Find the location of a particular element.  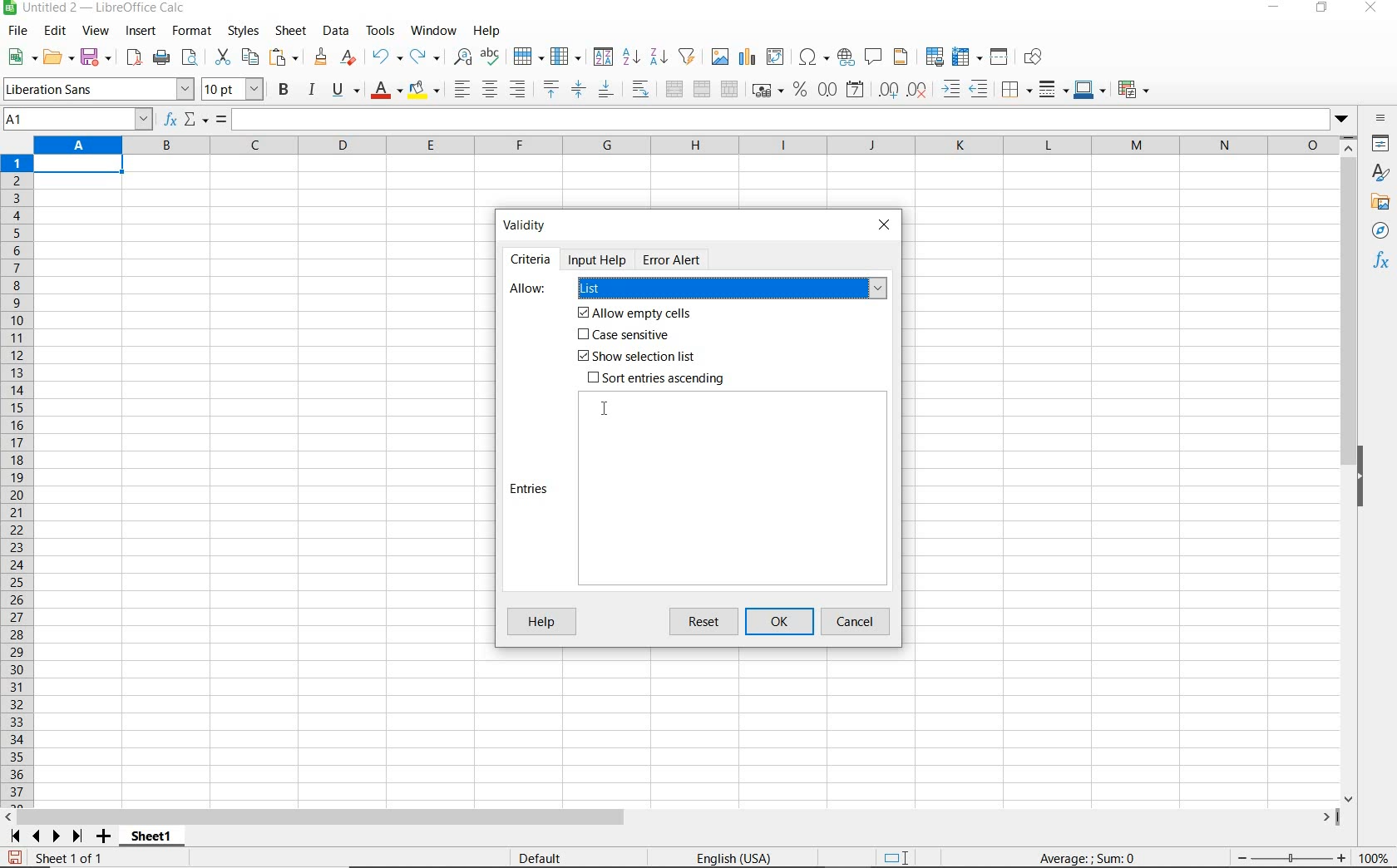

formula is located at coordinates (1088, 857).